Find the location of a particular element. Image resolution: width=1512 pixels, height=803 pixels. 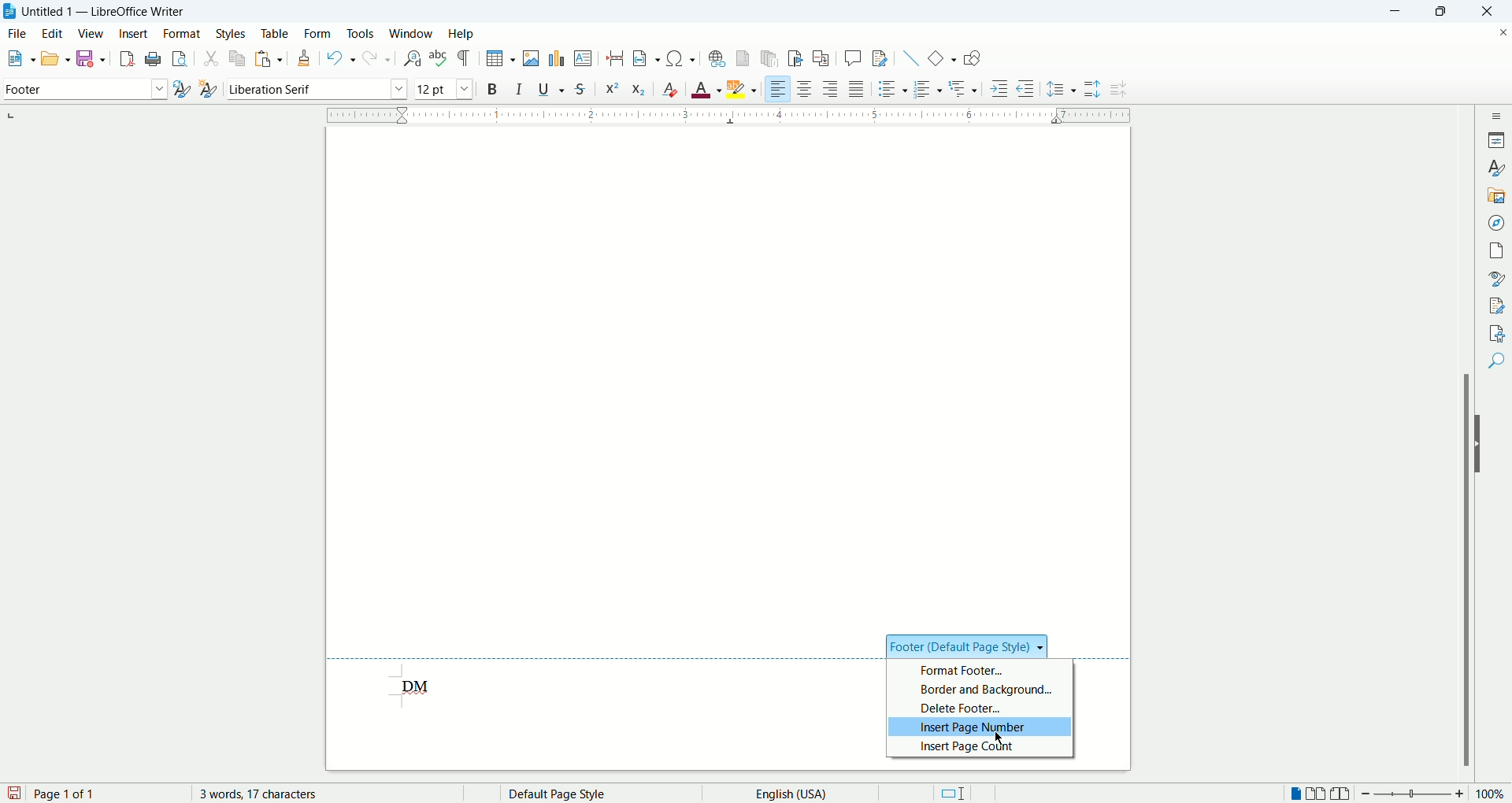

gallery is located at coordinates (1497, 194).